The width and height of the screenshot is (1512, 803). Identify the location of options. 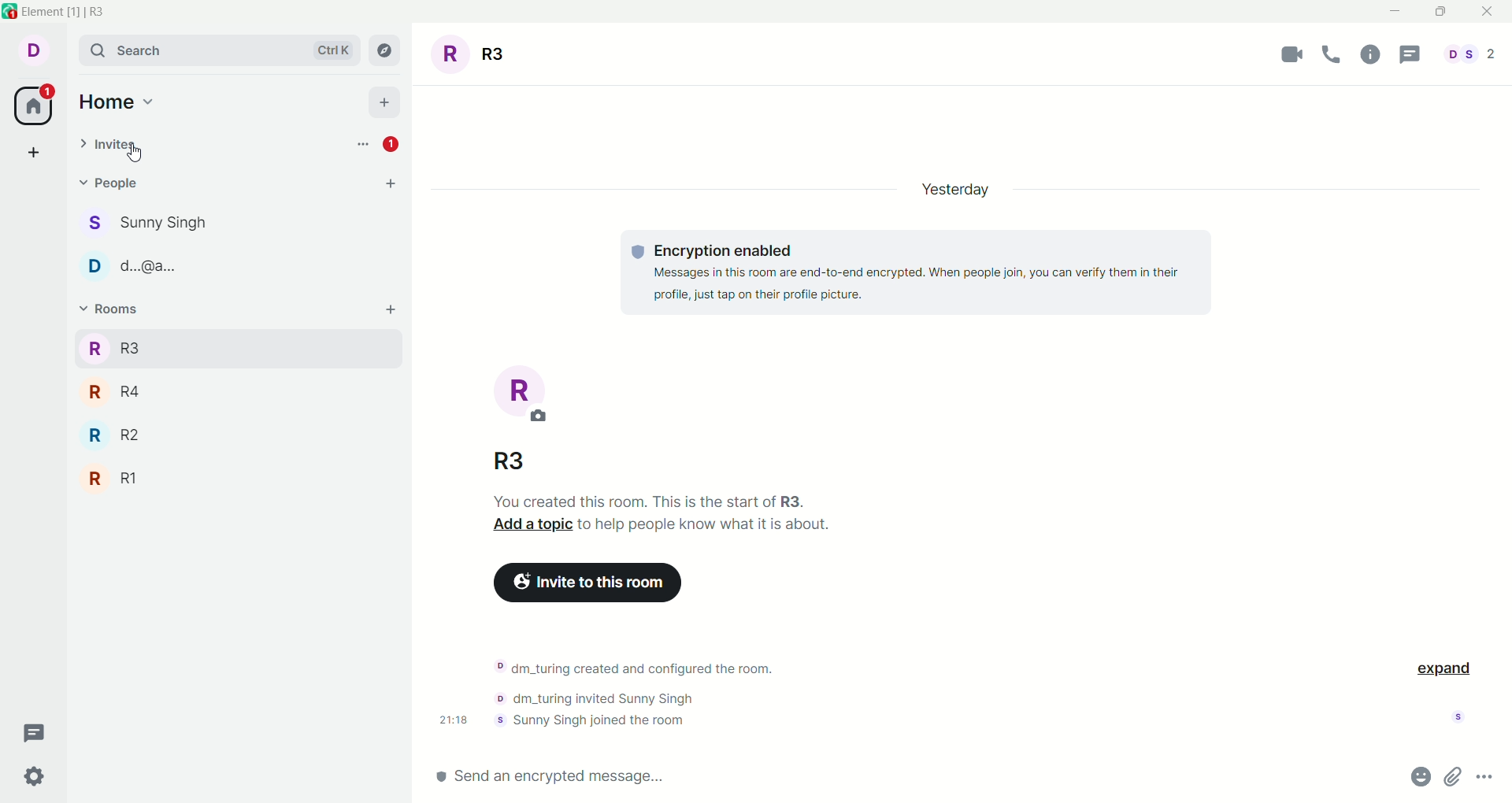
(1492, 779).